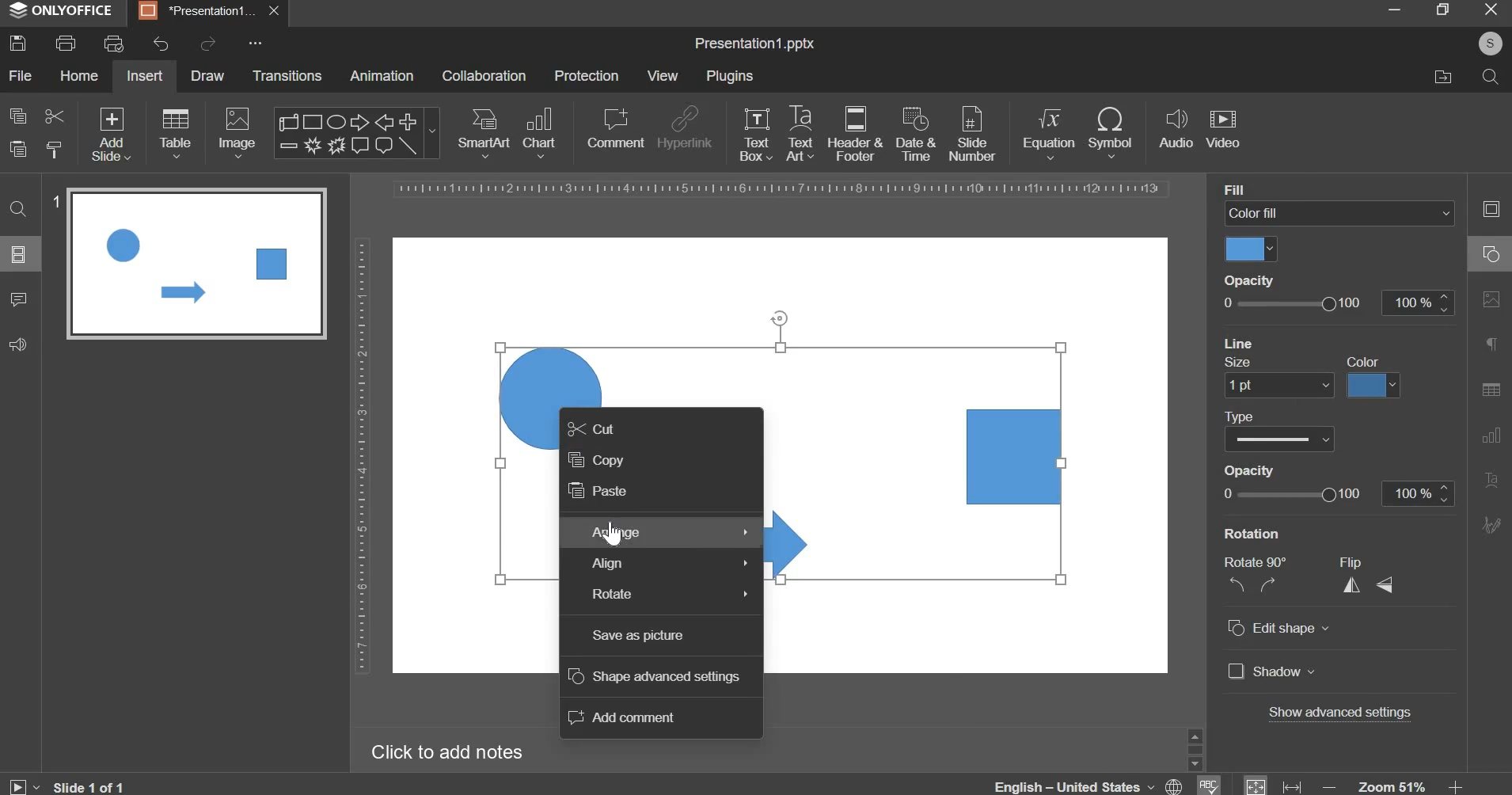 This screenshot has width=1512, height=795. Describe the element at coordinates (1260, 562) in the screenshot. I see `Rotate 90°` at that location.